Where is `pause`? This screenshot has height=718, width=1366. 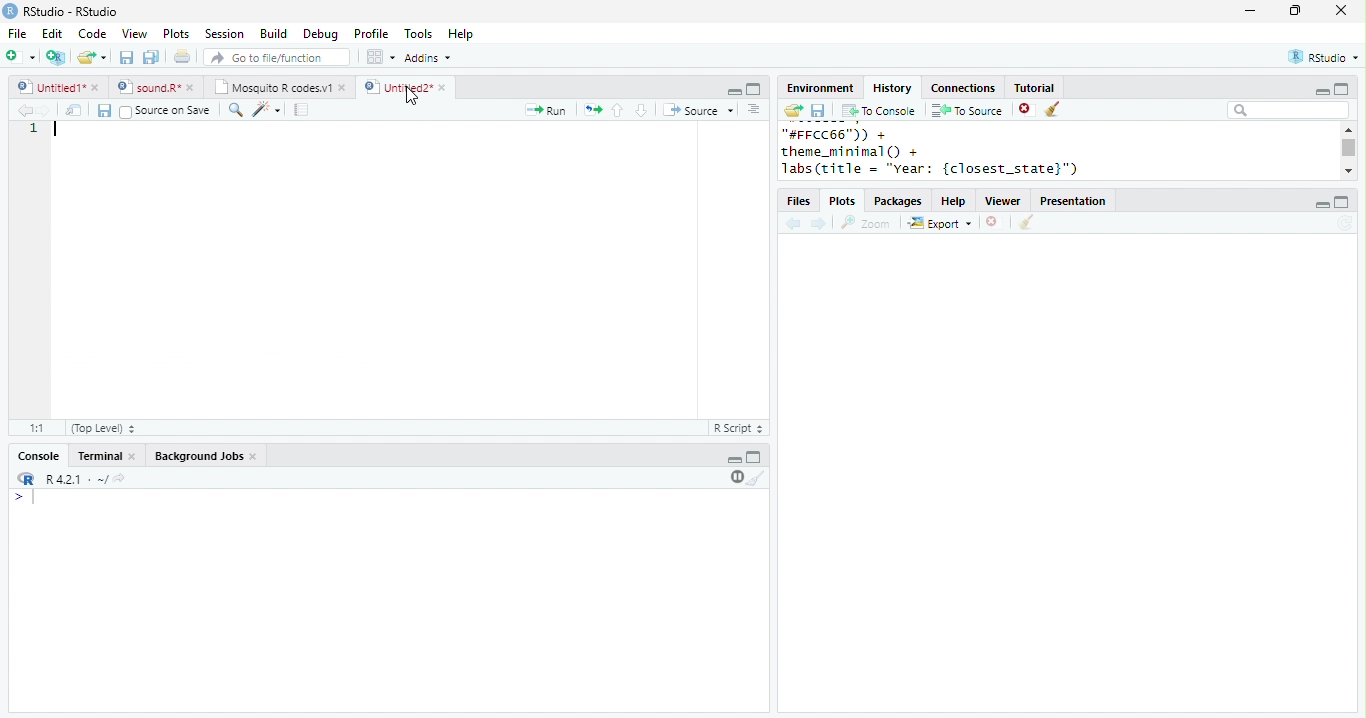
pause is located at coordinates (735, 477).